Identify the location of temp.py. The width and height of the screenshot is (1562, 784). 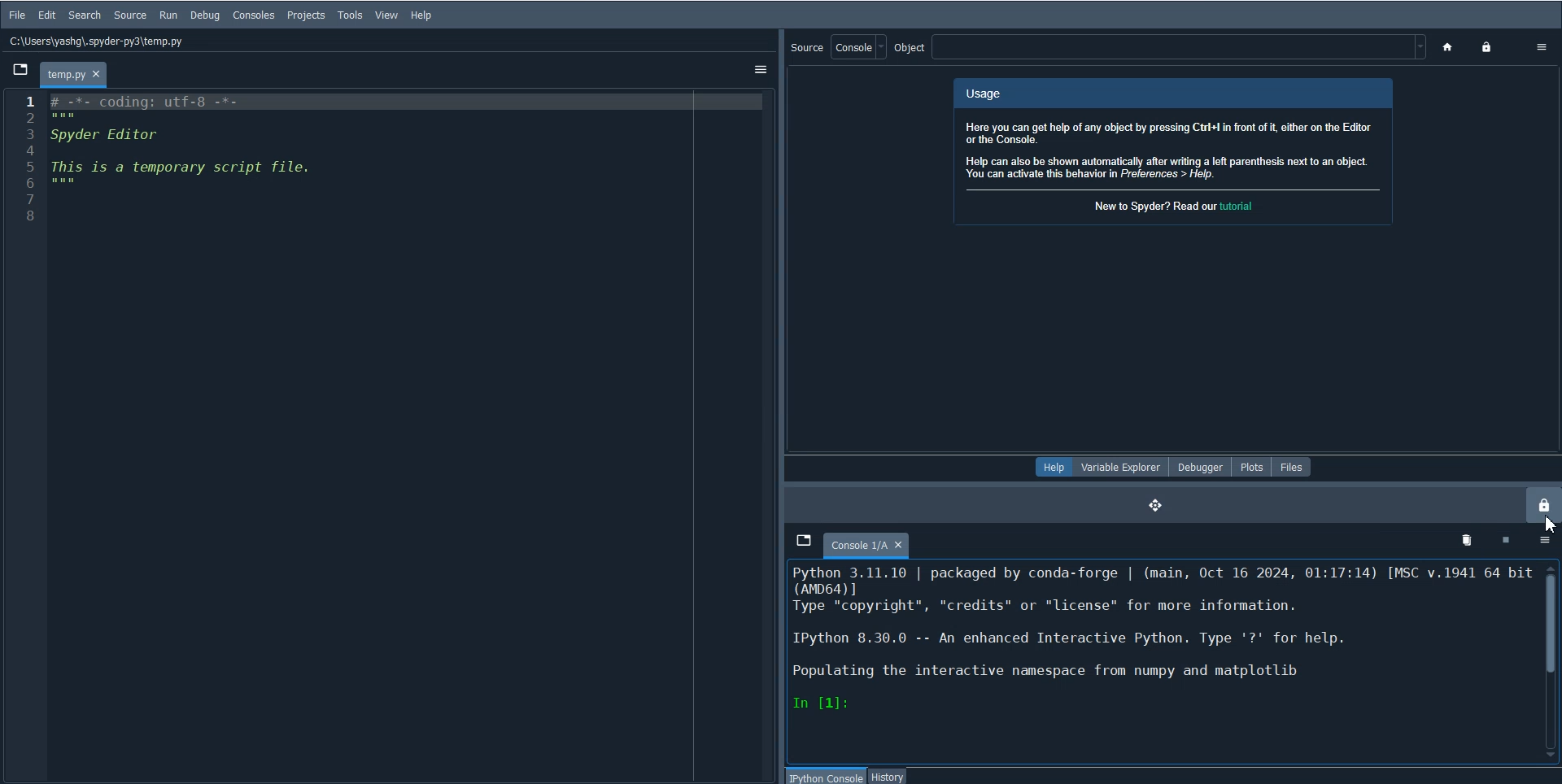
(73, 73).